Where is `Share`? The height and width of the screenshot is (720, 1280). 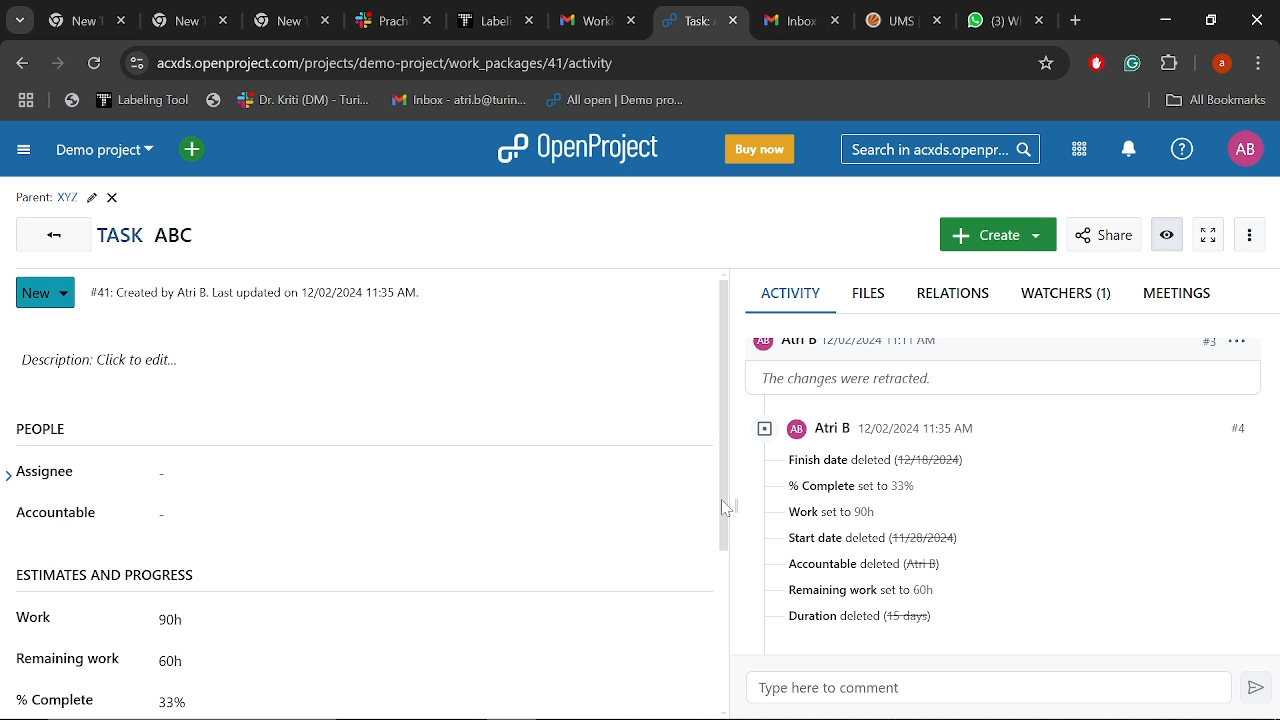 Share is located at coordinates (1103, 235).